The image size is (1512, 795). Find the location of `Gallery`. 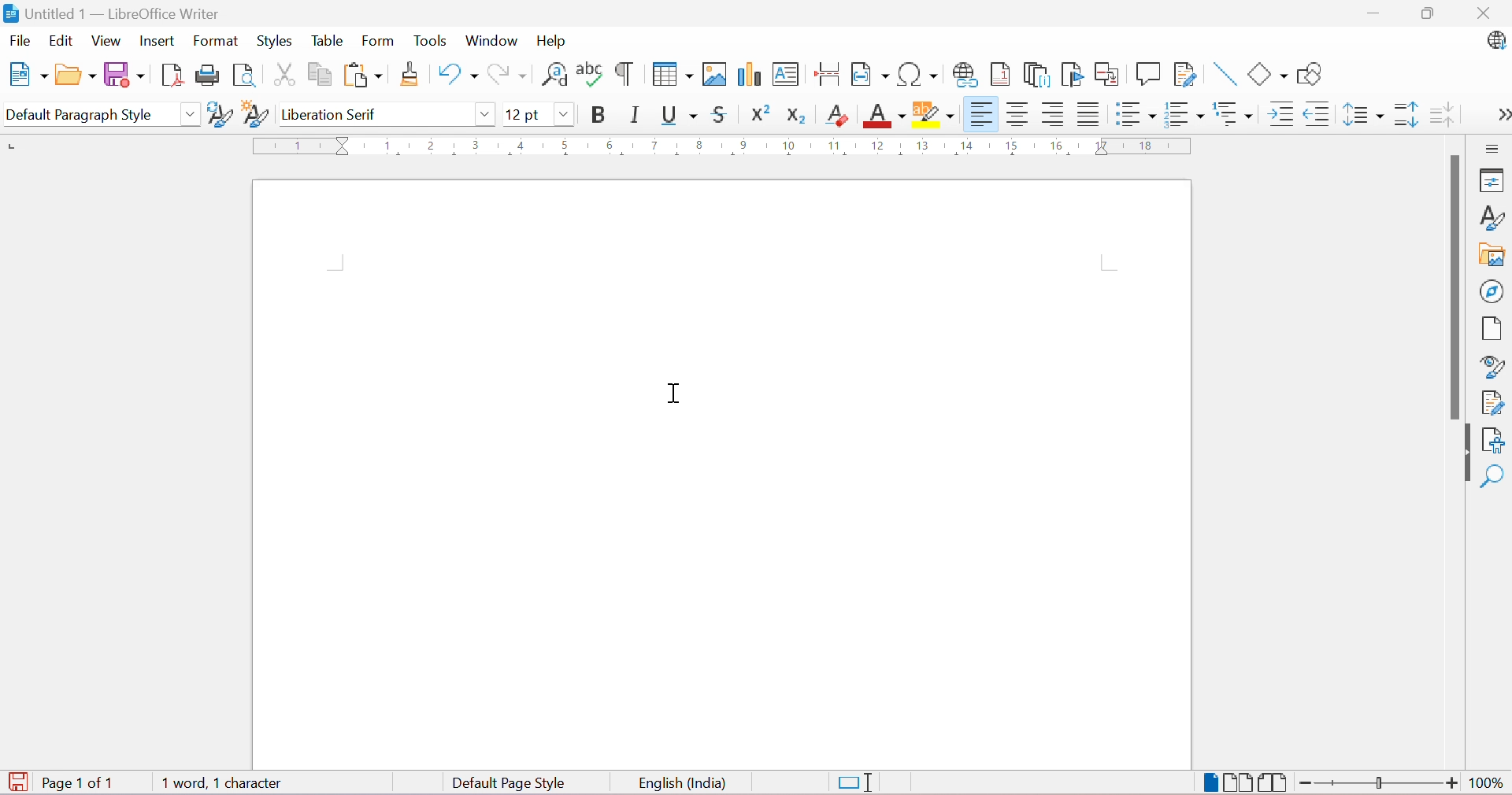

Gallery is located at coordinates (1490, 255).